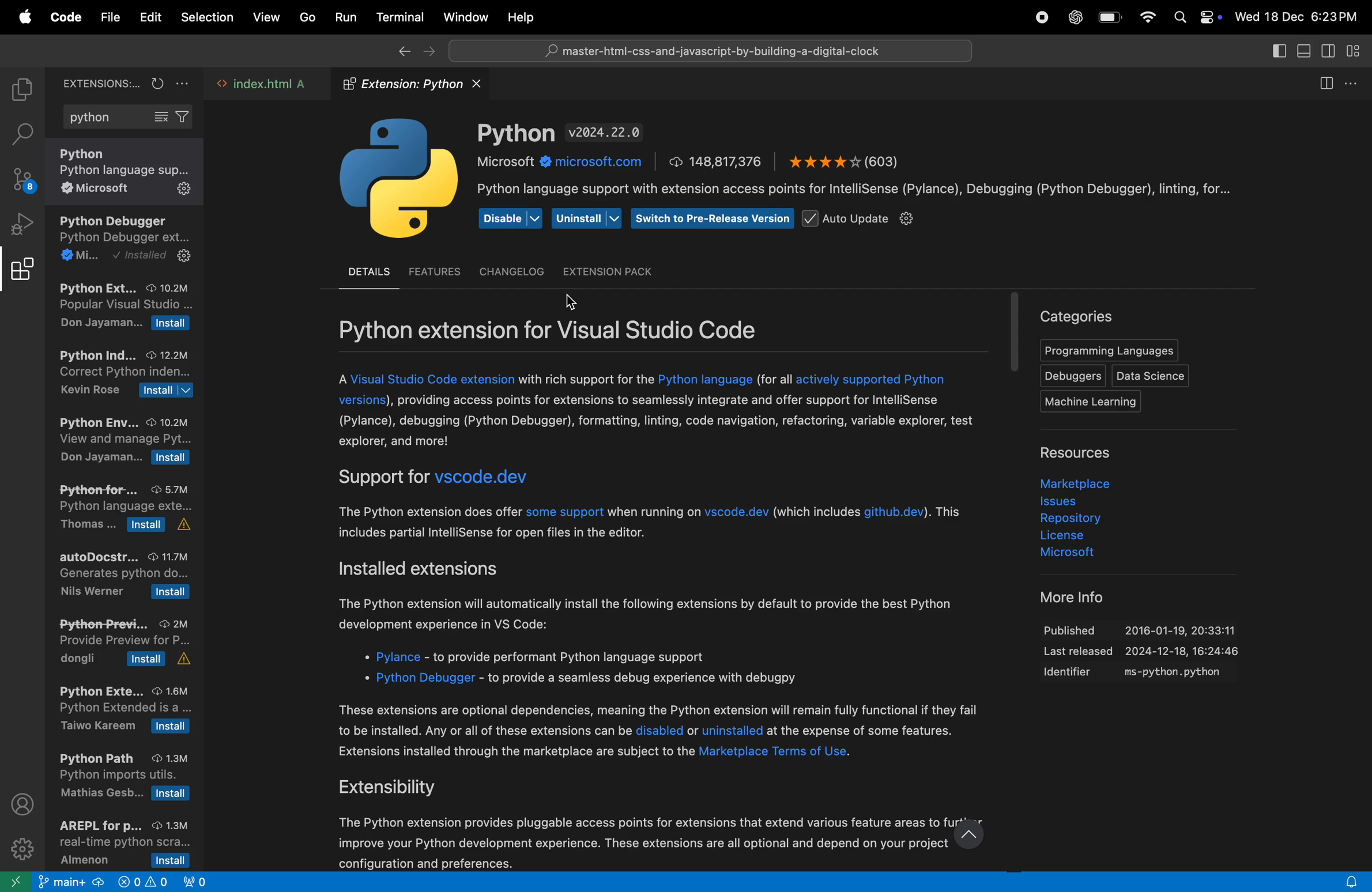  I want to click on categories, so click(1078, 315).